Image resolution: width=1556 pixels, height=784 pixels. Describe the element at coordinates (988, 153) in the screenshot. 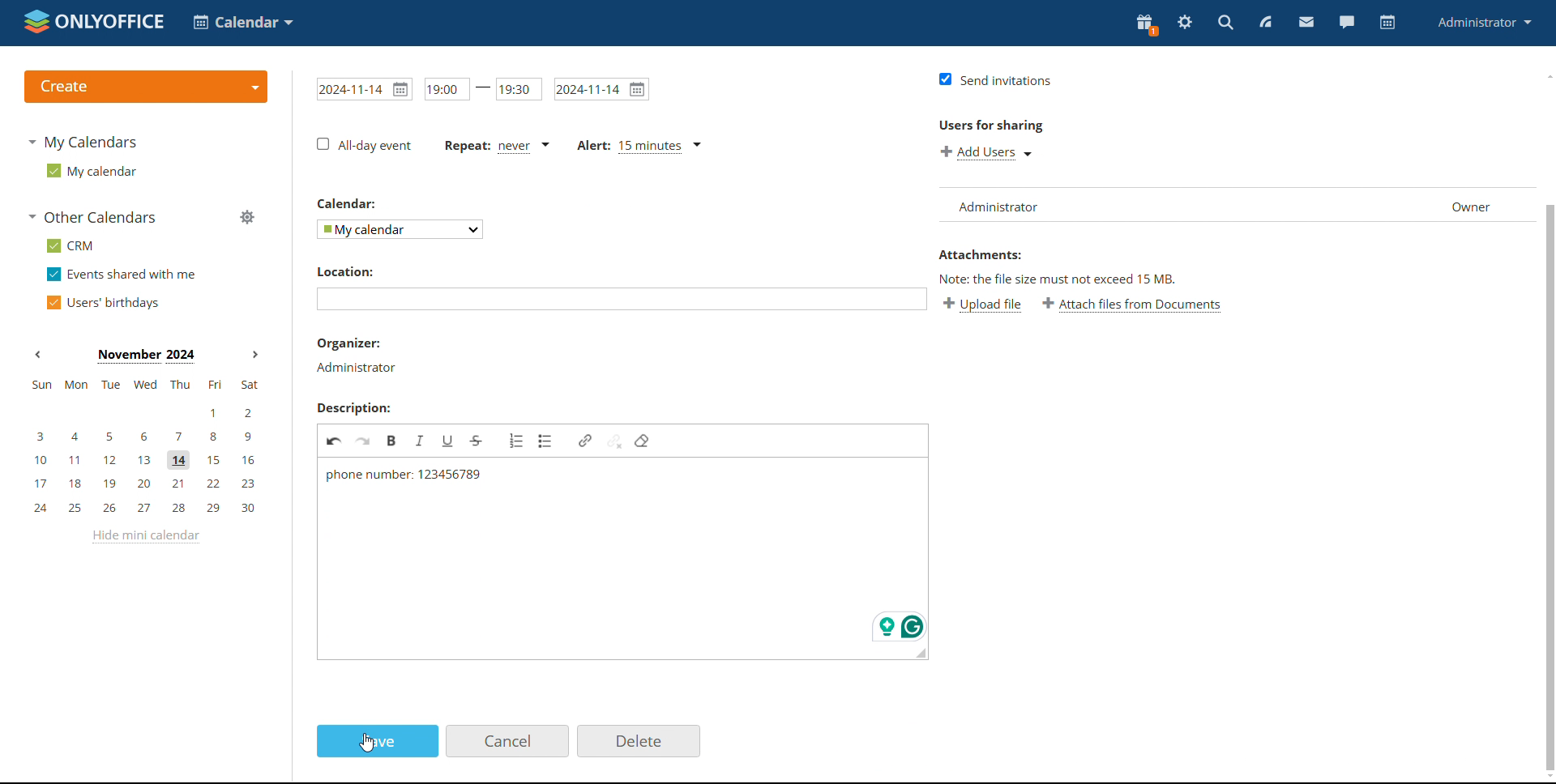

I see `add users` at that location.